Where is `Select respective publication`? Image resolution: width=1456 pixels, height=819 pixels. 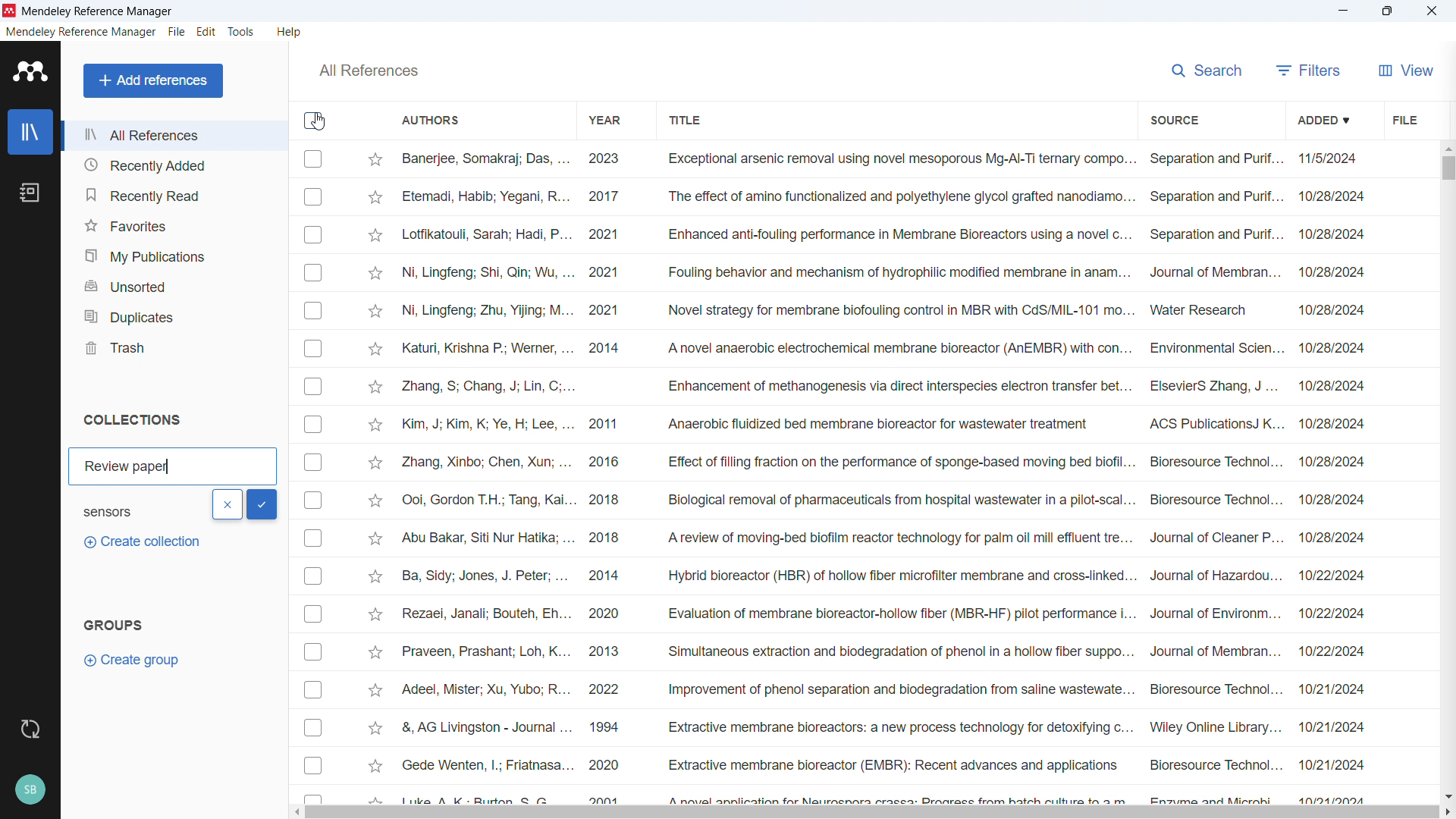 Select respective publication is located at coordinates (313, 652).